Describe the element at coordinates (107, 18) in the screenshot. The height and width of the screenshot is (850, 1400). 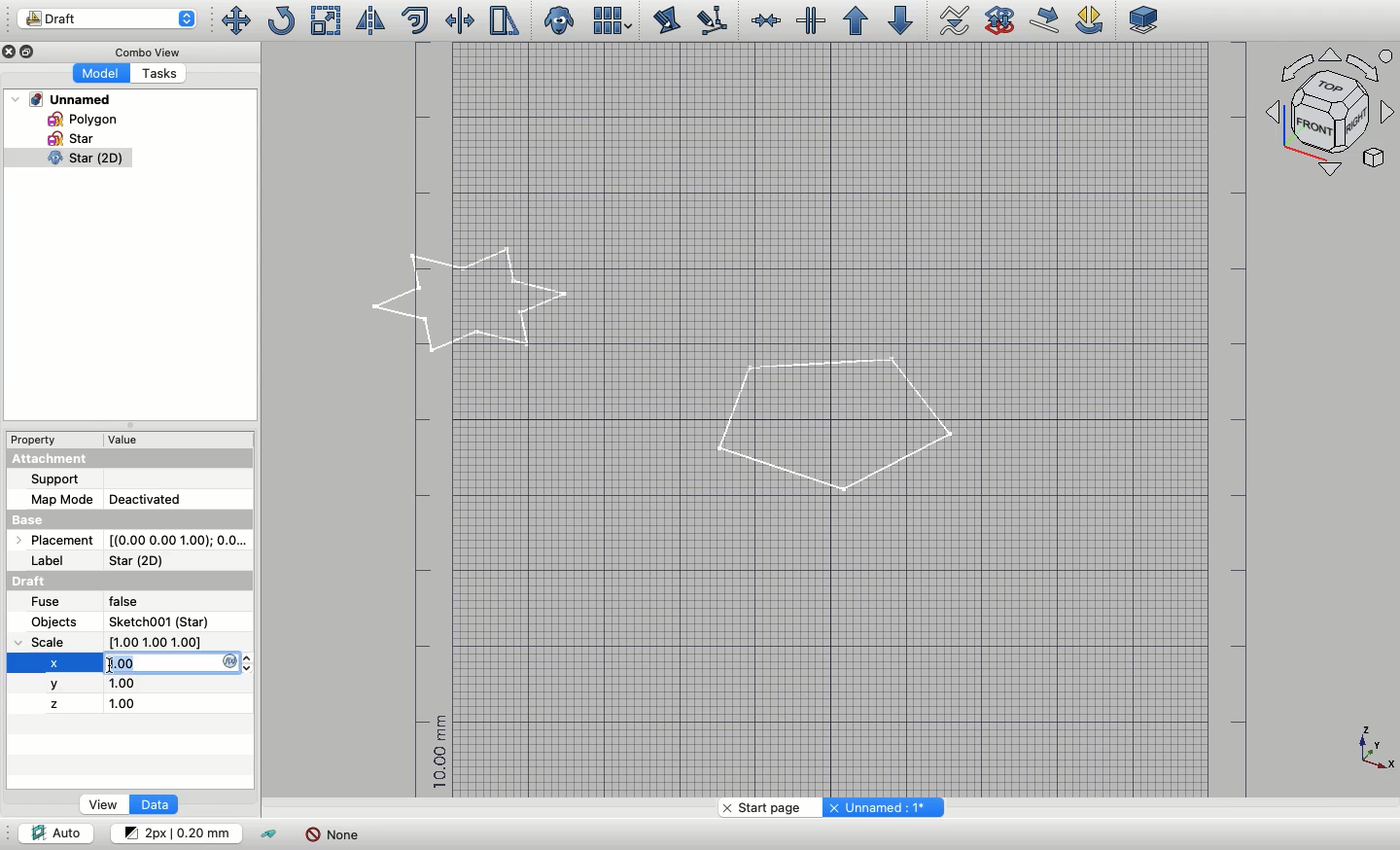
I see `Draft` at that location.